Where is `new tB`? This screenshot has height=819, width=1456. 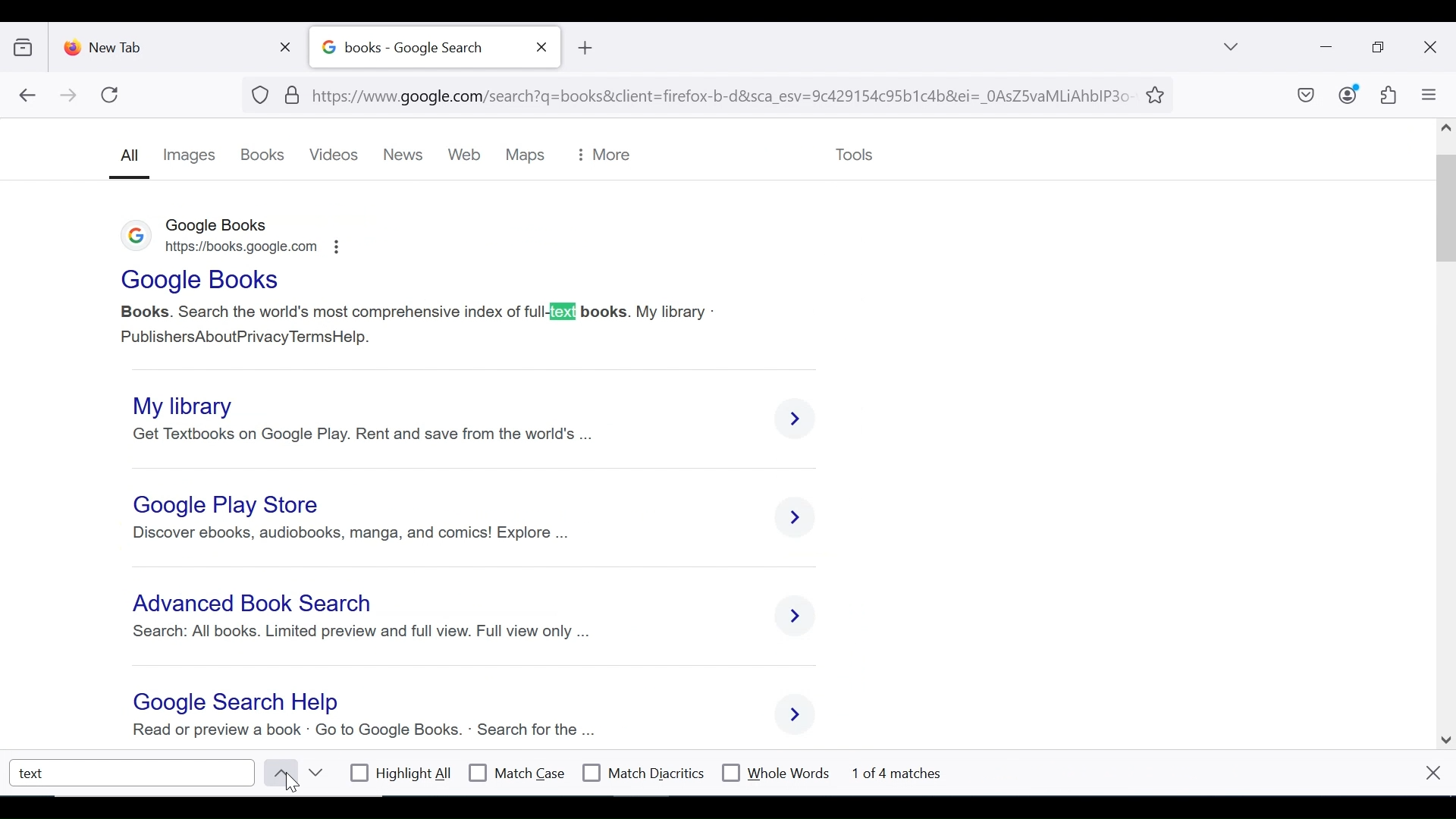 new tB is located at coordinates (584, 48).